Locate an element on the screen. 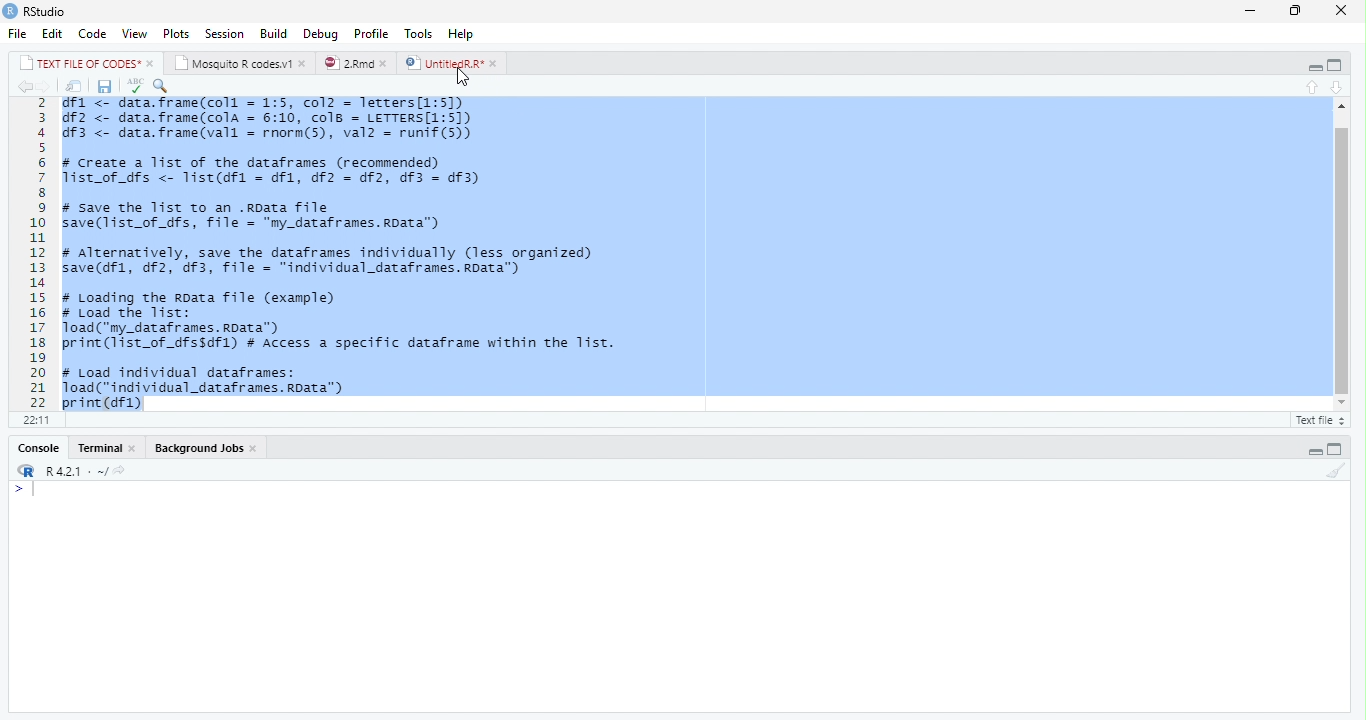 The width and height of the screenshot is (1366, 720). Hide is located at coordinates (1314, 449).